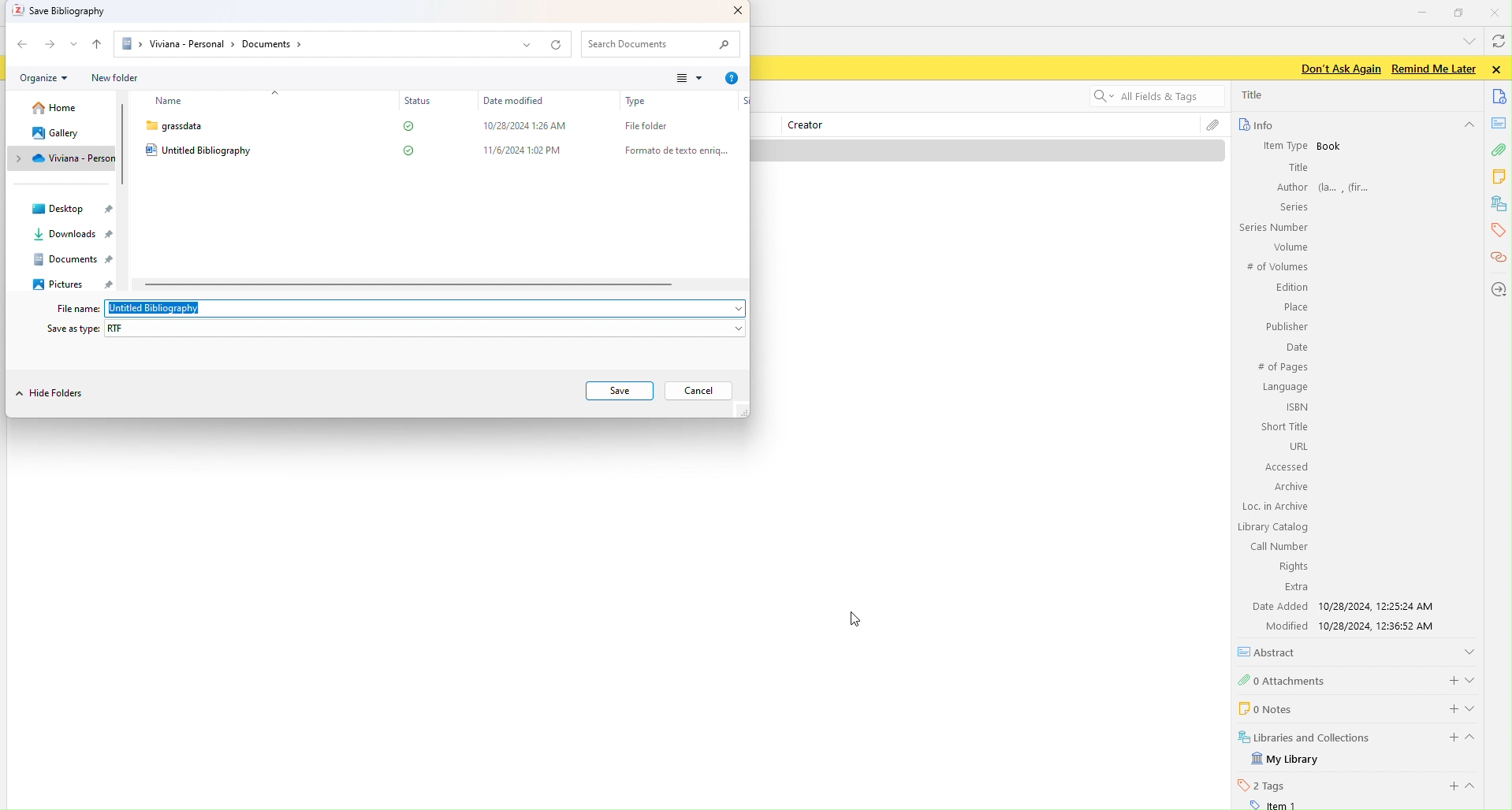  What do you see at coordinates (1283, 679) in the screenshot?
I see `0 Attachments` at bounding box center [1283, 679].